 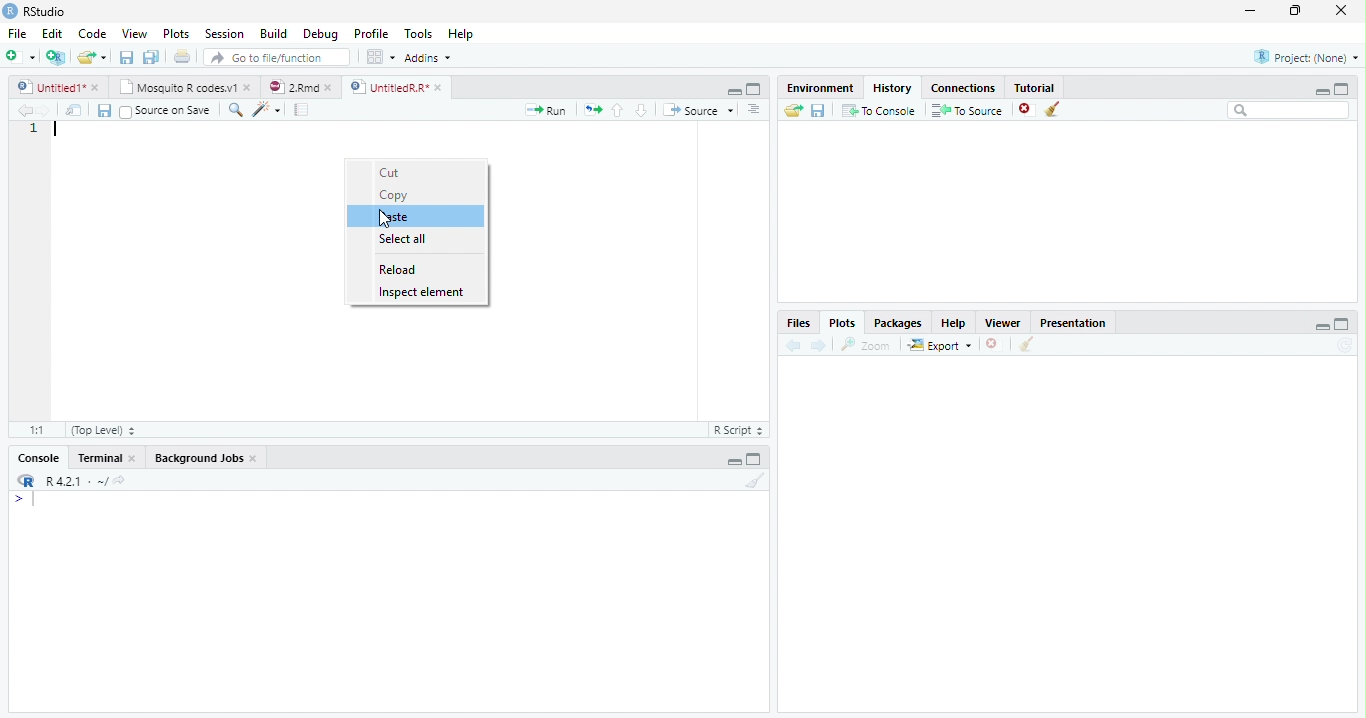 I want to click on Connections, so click(x=963, y=88).